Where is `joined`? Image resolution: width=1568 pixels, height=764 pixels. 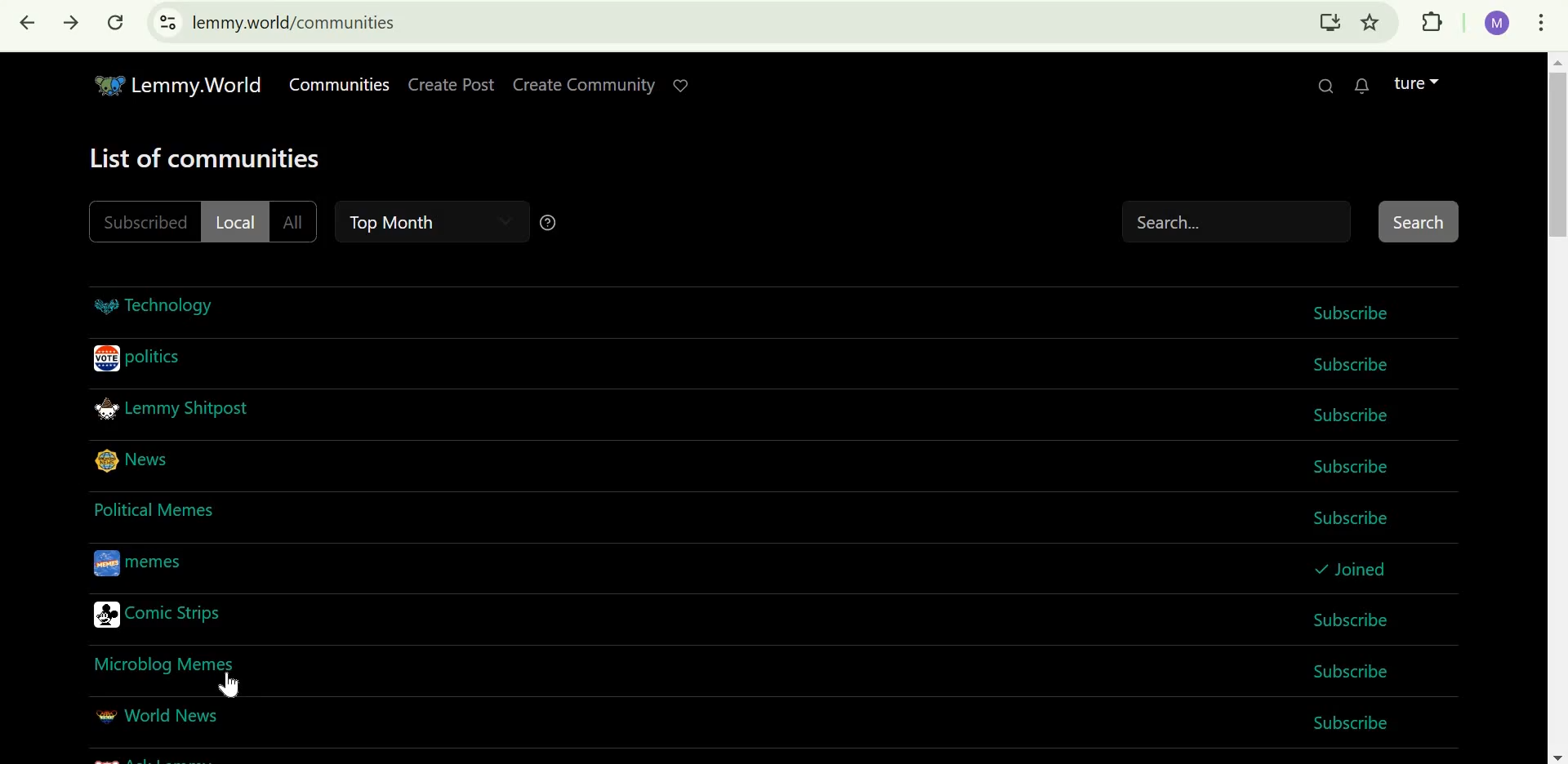
joined is located at coordinates (1350, 566).